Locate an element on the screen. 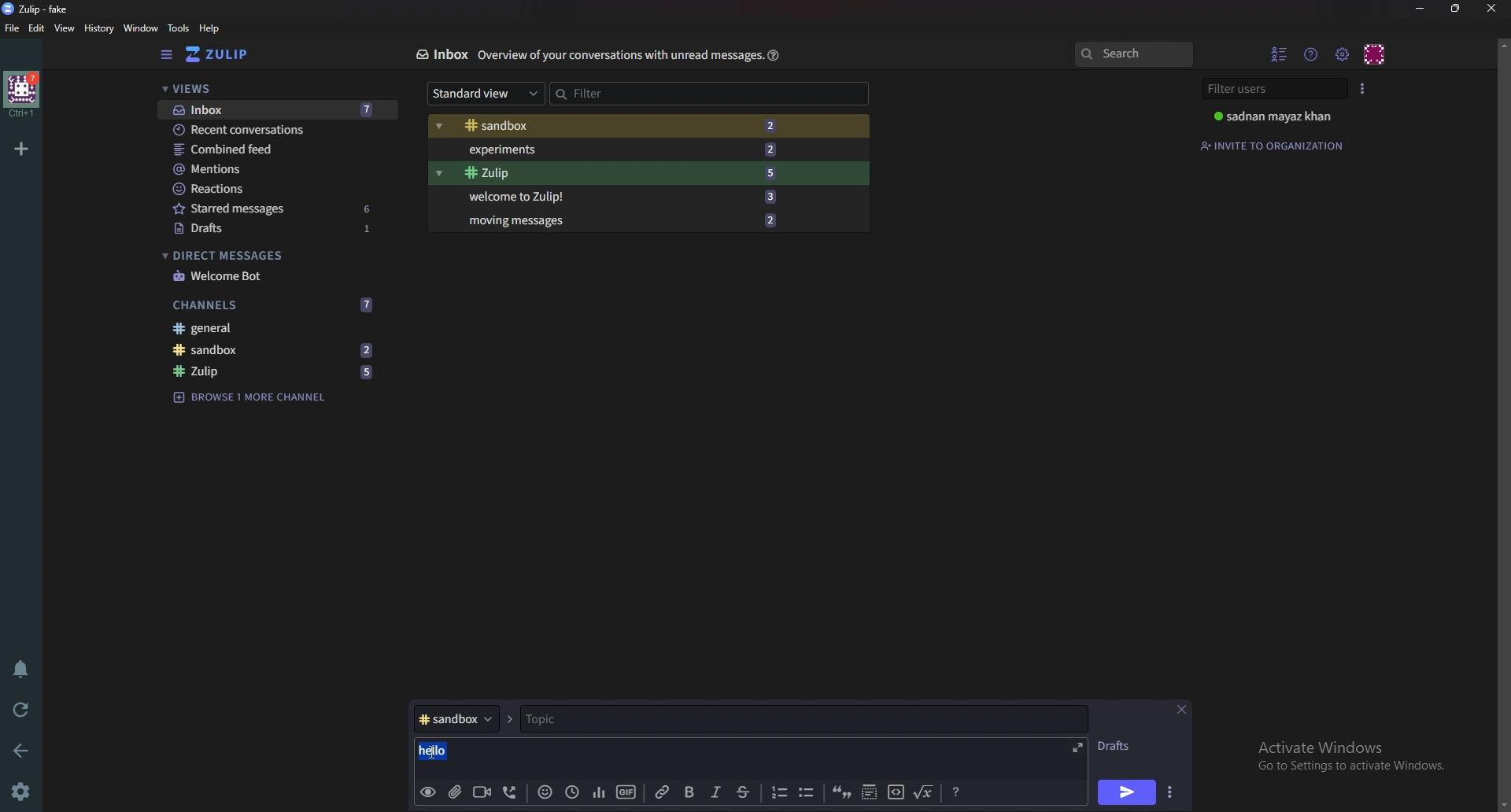 The height and width of the screenshot is (812, 1511). Main menu is located at coordinates (1343, 53).